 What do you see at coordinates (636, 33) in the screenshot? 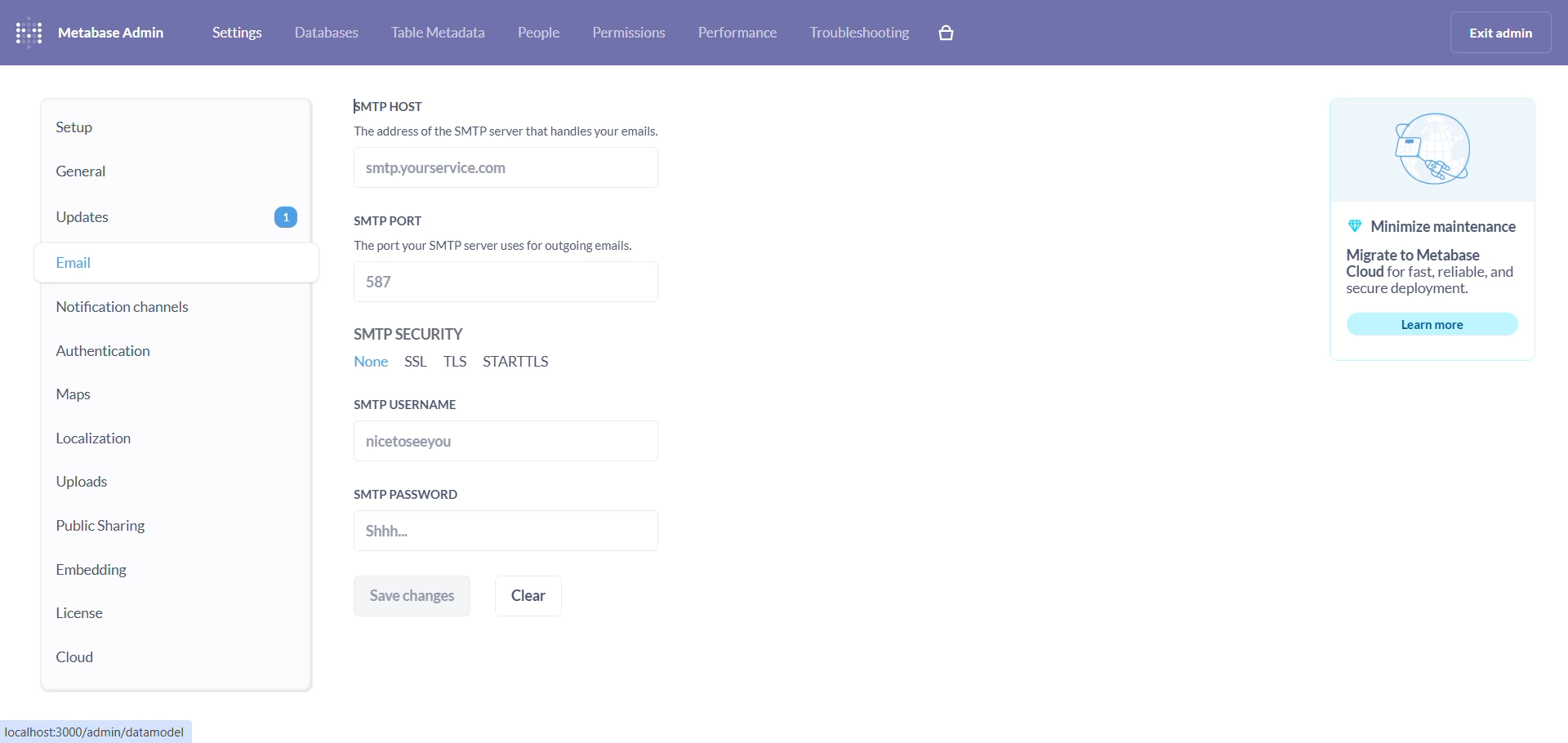
I see `permission` at bounding box center [636, 33].